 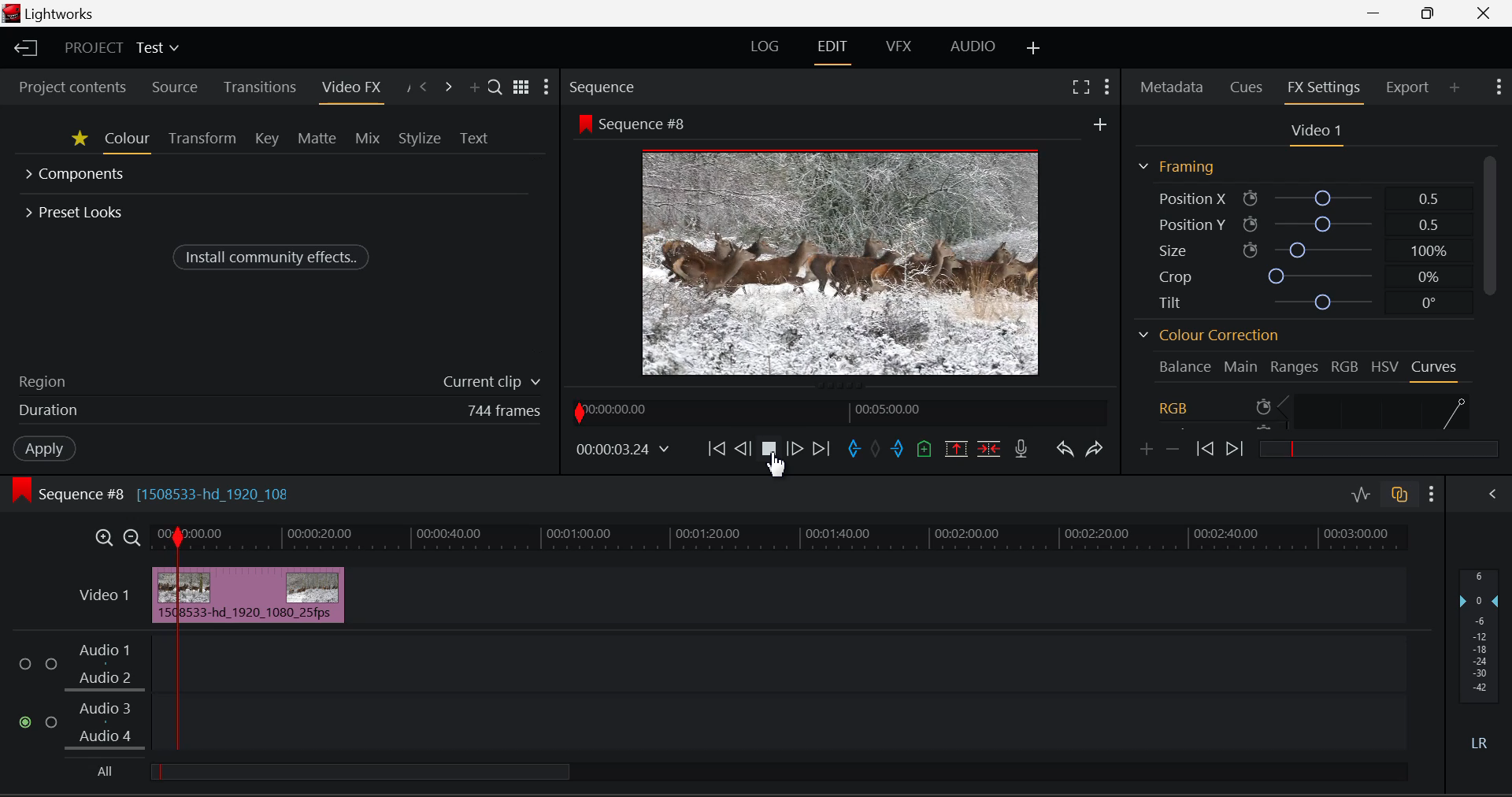 I want to click on Toggle Audio Levels Editing, so click(x=1360, y=495).